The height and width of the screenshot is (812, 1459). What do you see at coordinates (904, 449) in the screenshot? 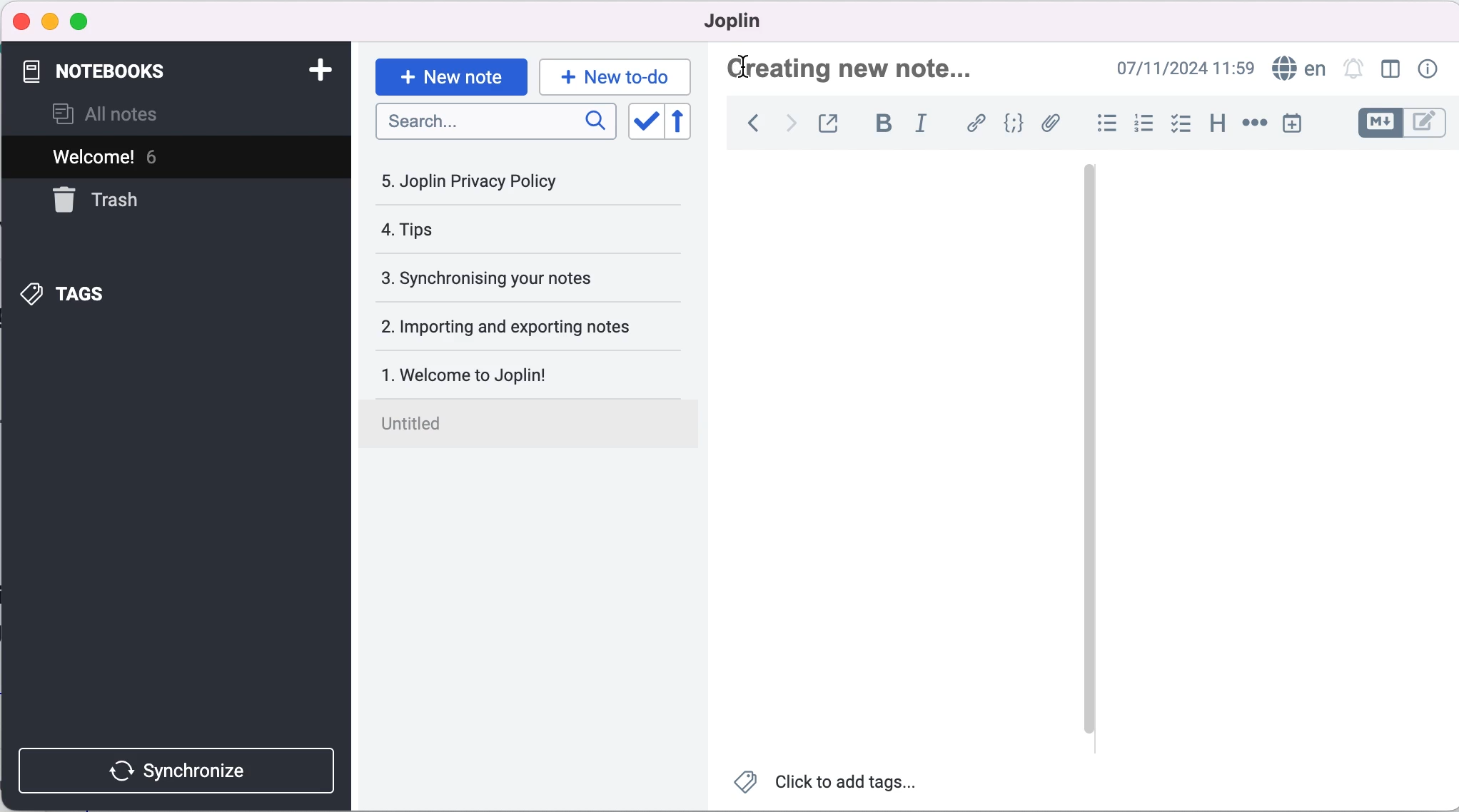
I see `blank canva` at bounding box center [904, 449].